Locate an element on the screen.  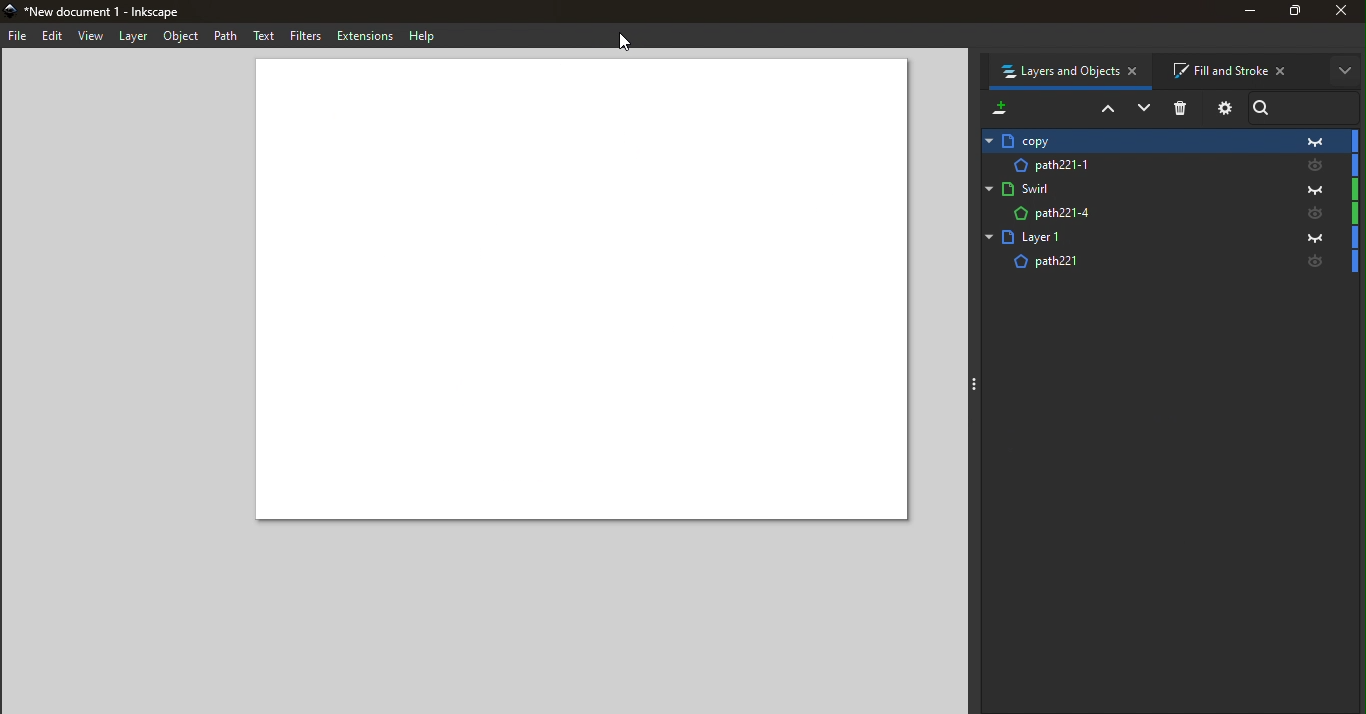
hide/unhide layer is located at coordinates (1323, 142).